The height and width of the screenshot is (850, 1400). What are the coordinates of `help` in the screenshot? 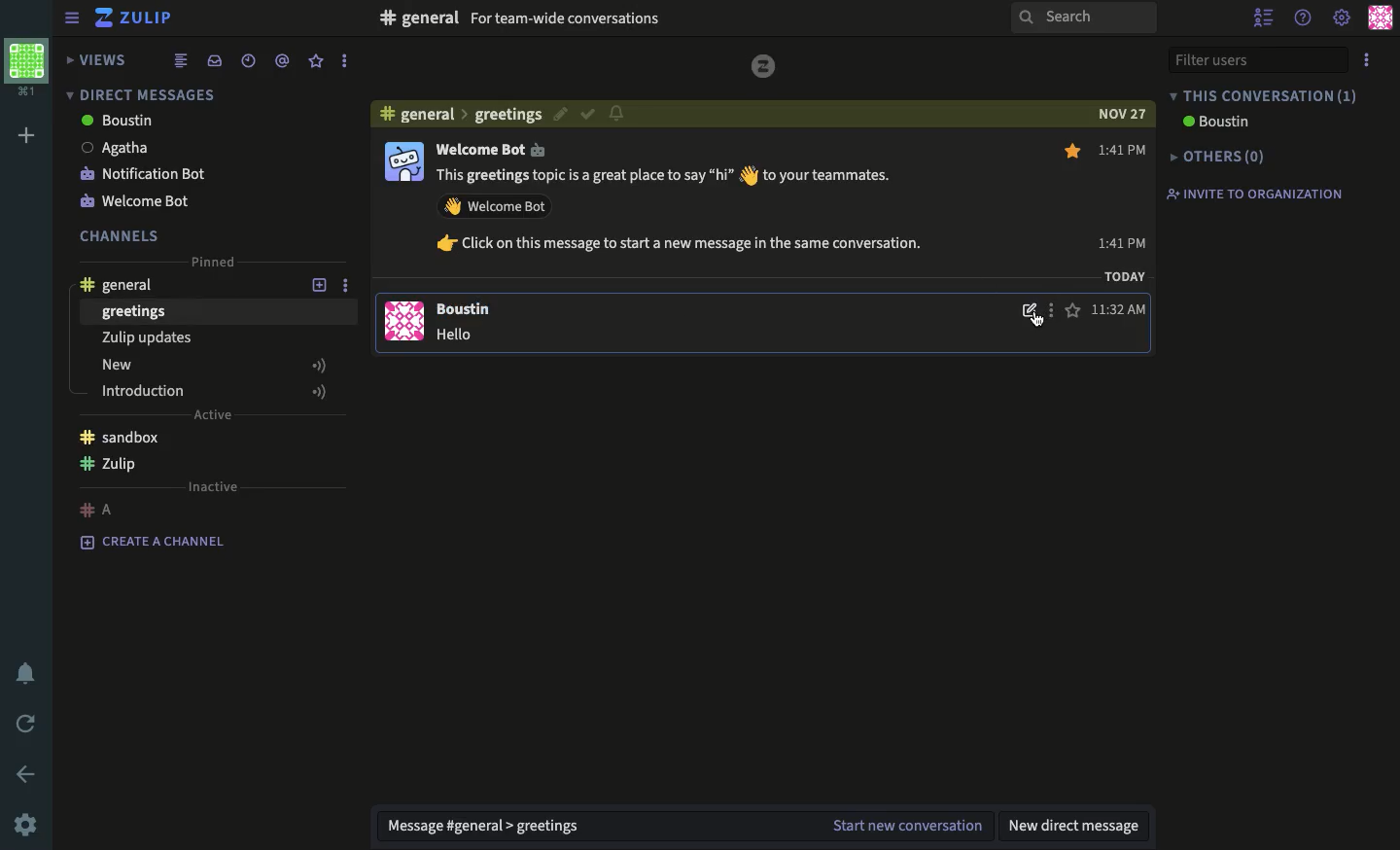 It's located at (1303, 18).